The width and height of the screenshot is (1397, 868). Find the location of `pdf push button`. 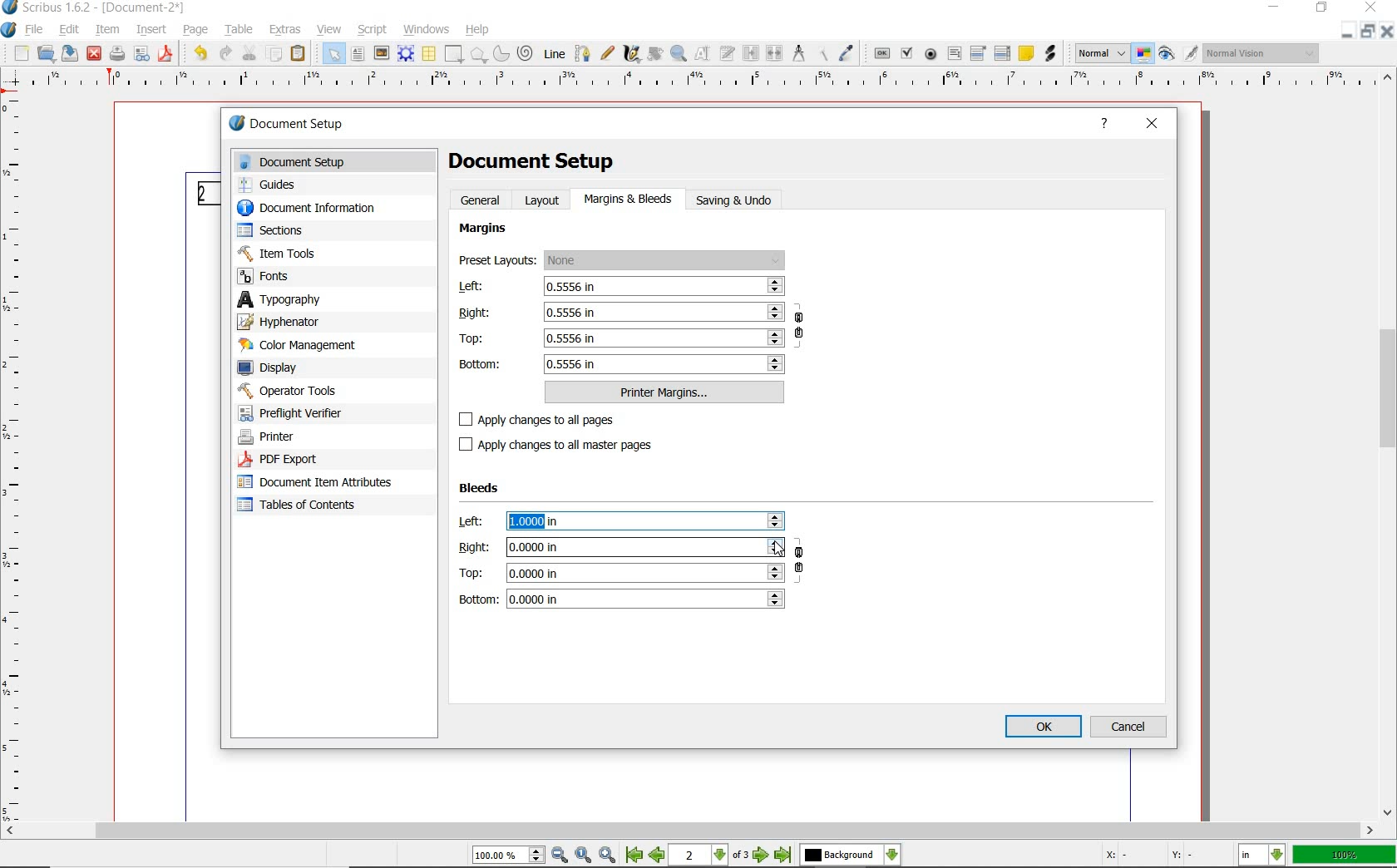

pdf push button is located at coordinates (883, 54).